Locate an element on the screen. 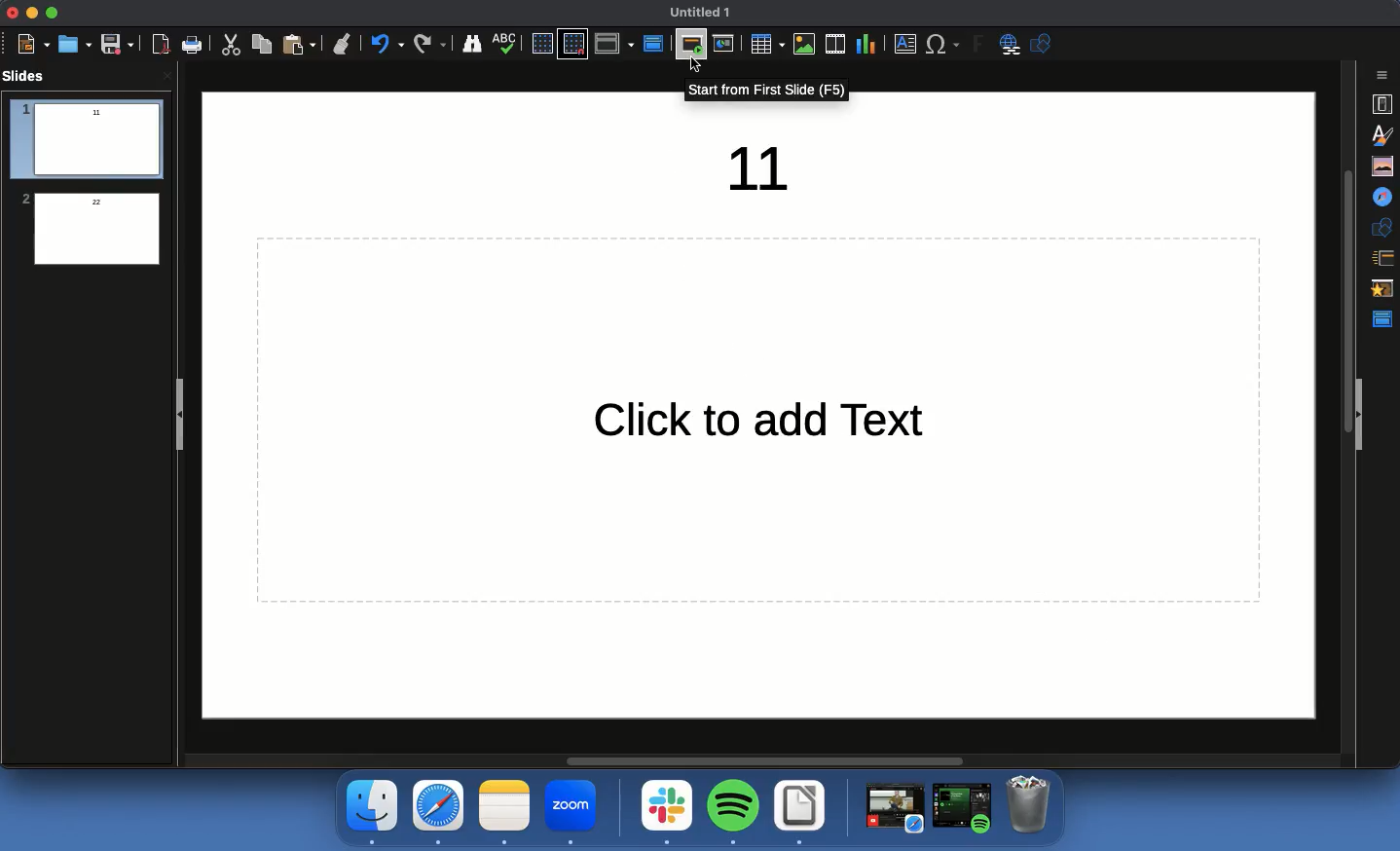 The width and height of the screenshot is (1400, 851). Save is located at coordinates (118, 45).